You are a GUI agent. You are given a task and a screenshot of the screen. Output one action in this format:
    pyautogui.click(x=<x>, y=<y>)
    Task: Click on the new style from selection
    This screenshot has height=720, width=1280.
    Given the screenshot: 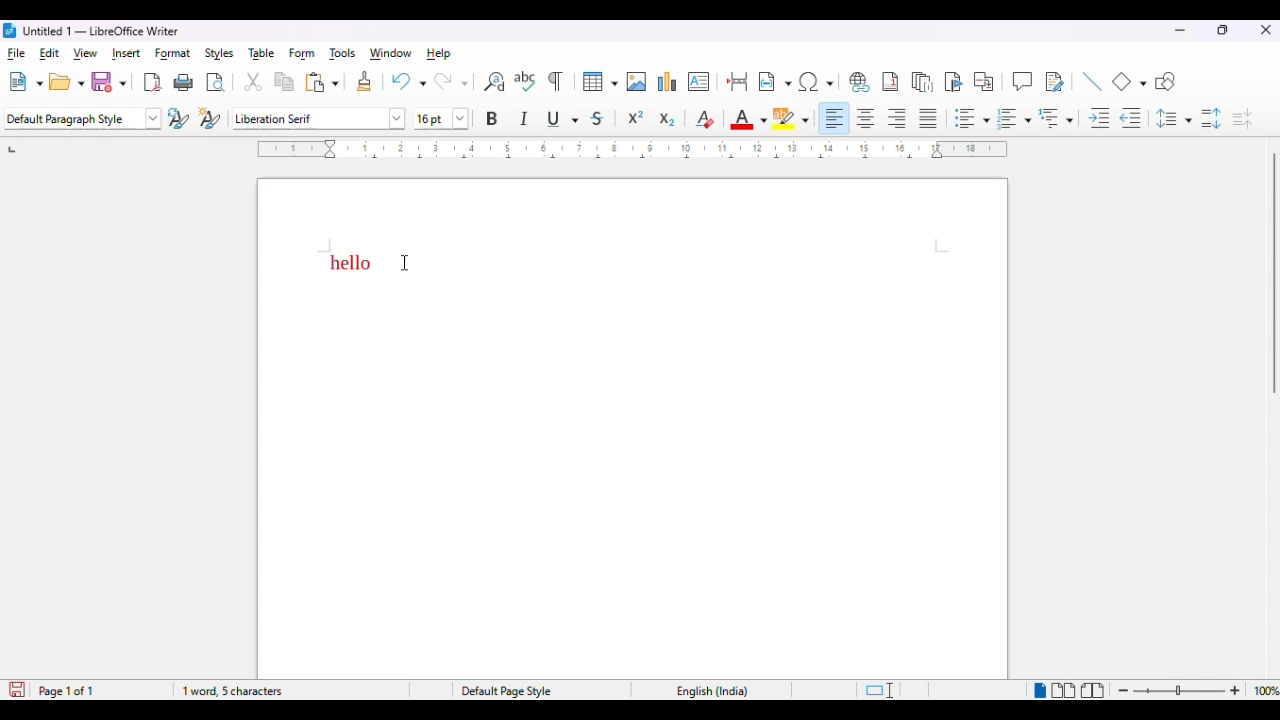 What is the action you would take?
    pyautogui.click(x=210, y=118)
    